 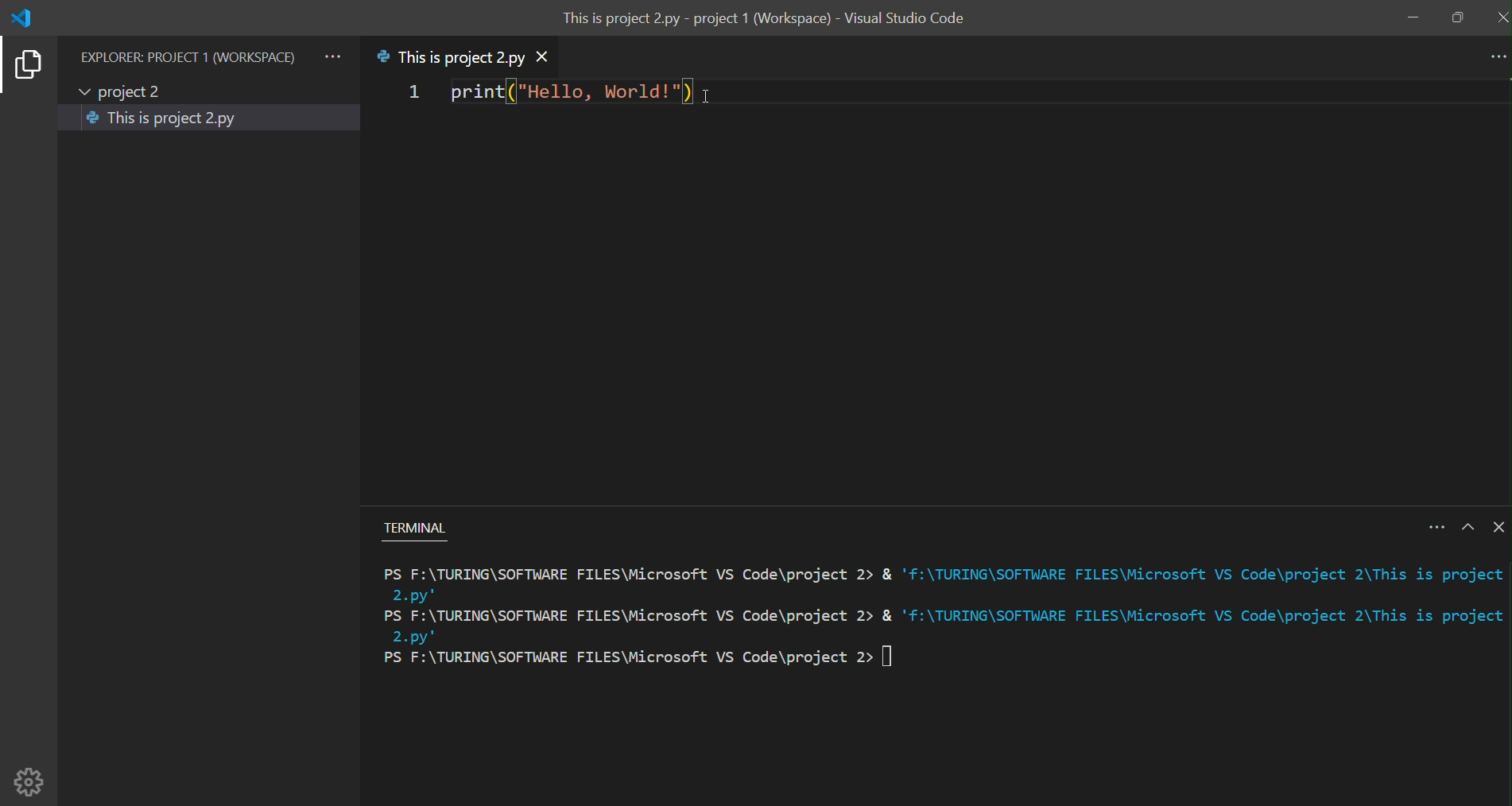 I want to click on maximize, so click(x=1457, y=18).